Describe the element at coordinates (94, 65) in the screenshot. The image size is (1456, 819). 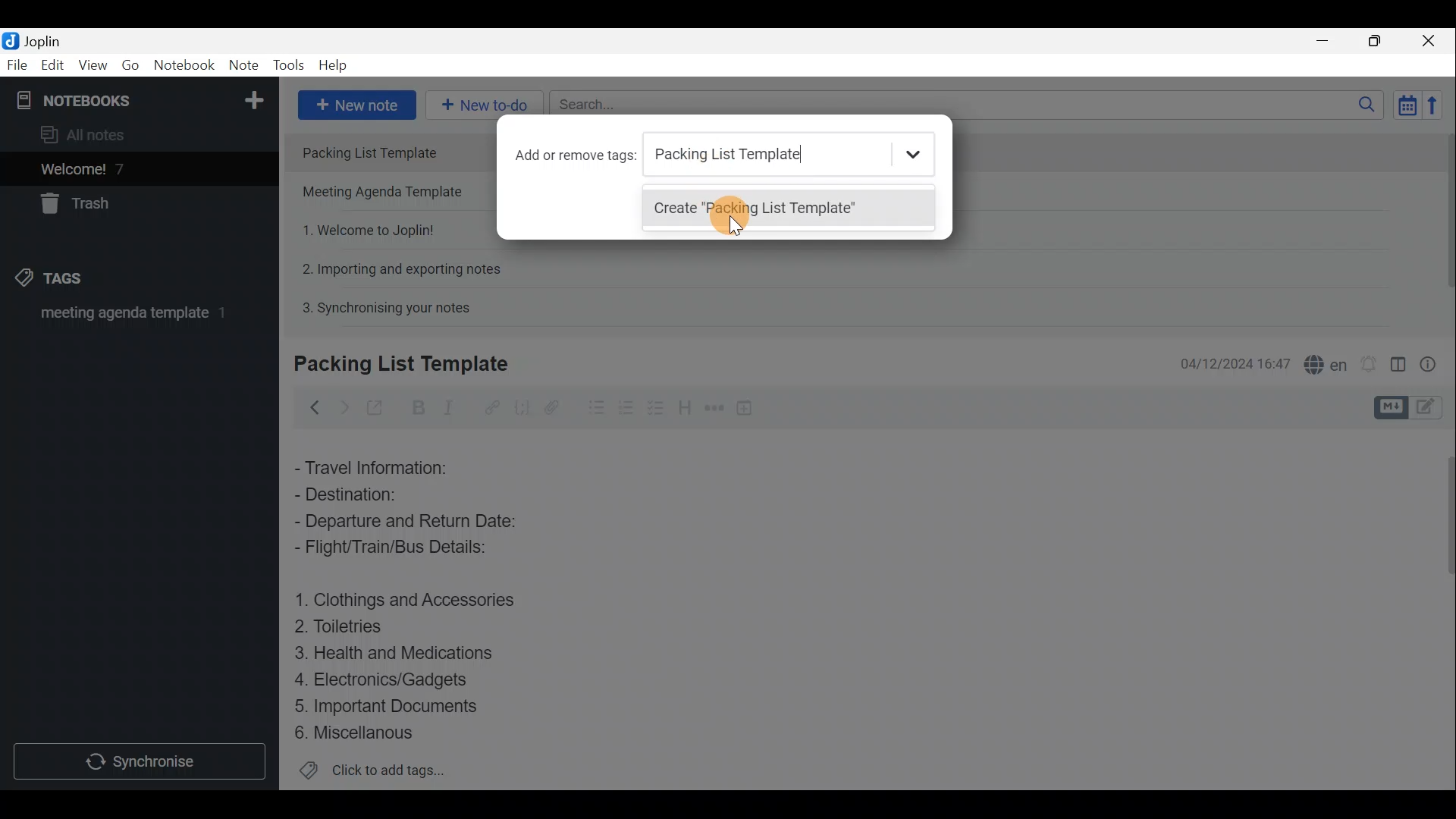
I see `View` at that location.